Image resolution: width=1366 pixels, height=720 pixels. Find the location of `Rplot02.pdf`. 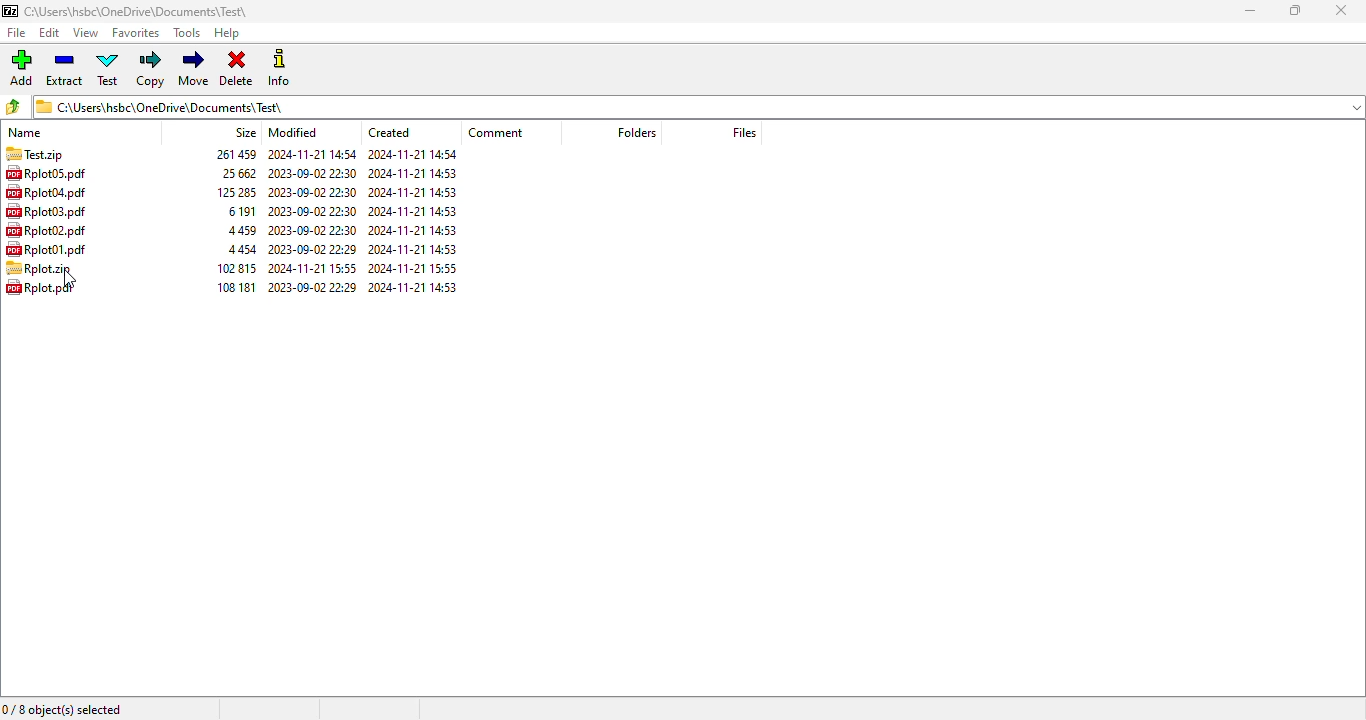

Rplot02.pdf is located at coordinates (47, 230).